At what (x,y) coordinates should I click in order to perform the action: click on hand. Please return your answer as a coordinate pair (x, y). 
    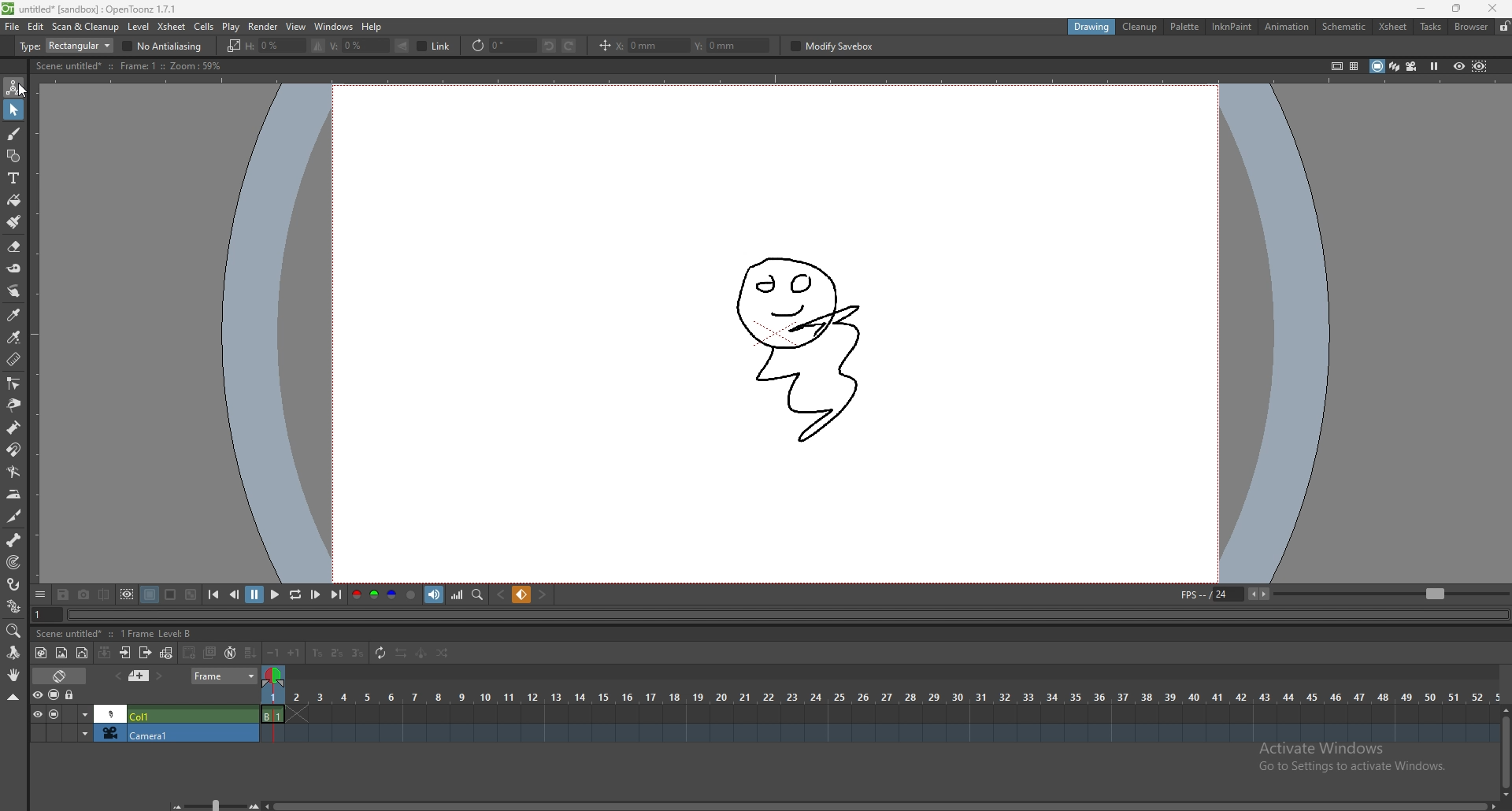
    Looking at the image, I should click on (14, 675).